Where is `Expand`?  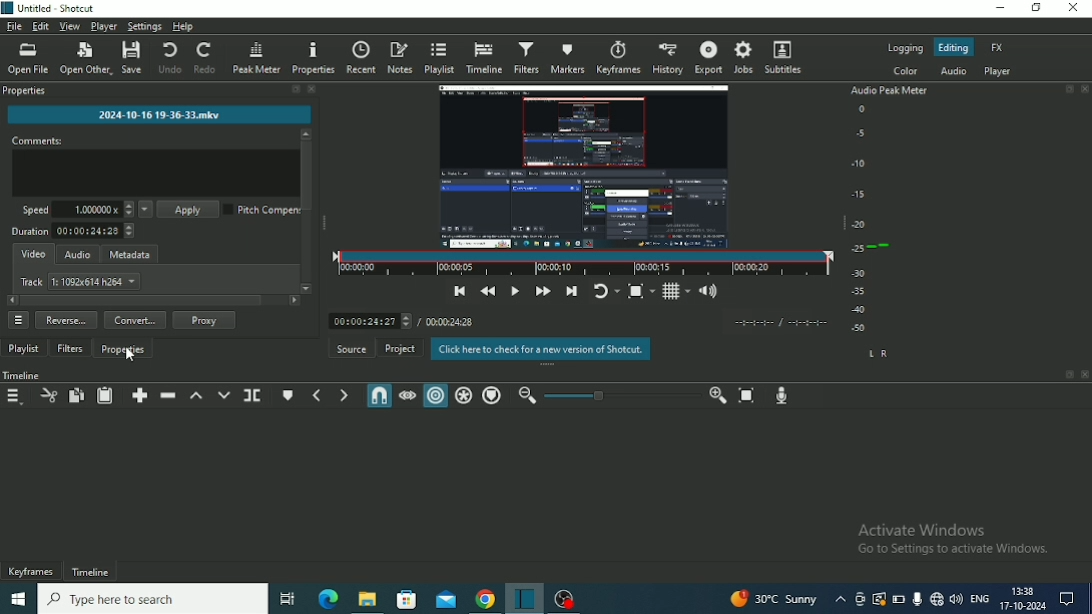
Expand is located at coordinates (1070, 374).